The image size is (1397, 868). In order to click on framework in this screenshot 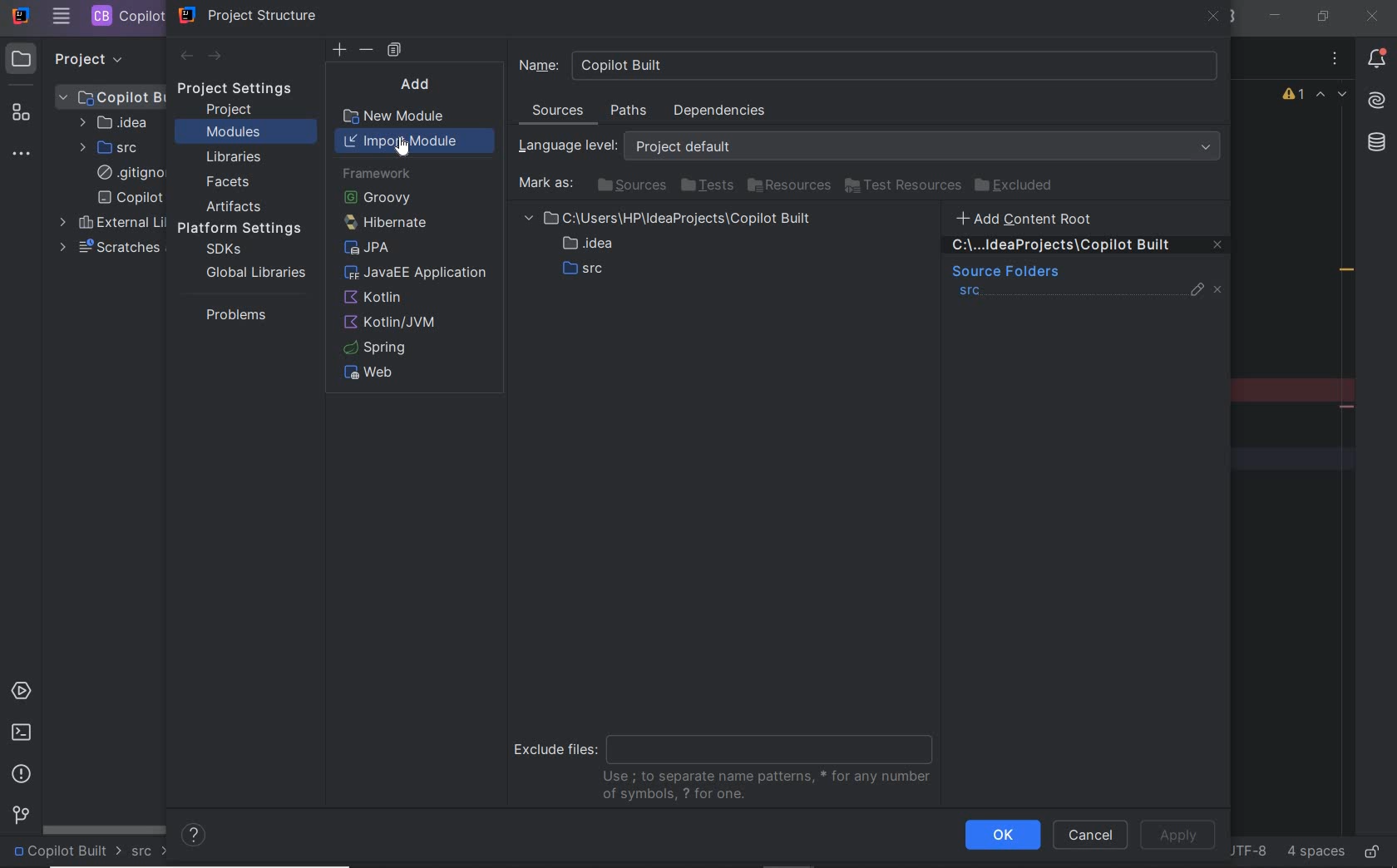, I will do `click(376, 175)`.